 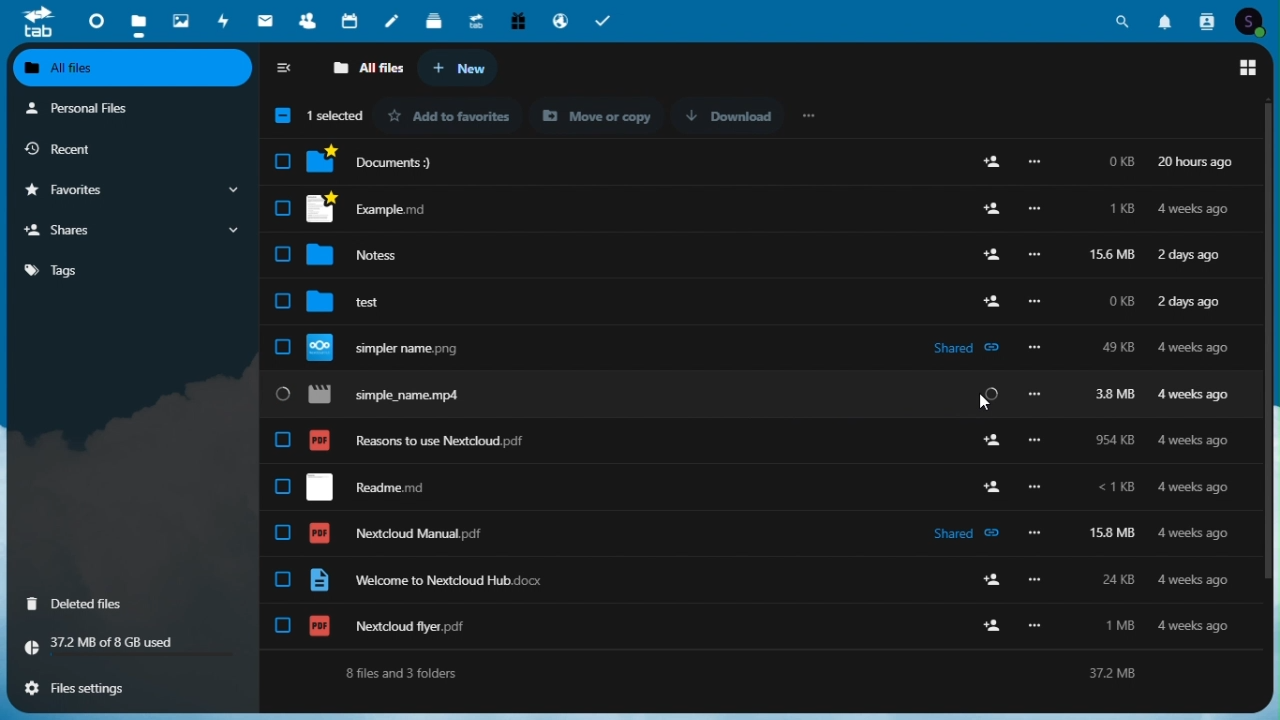 What do you see at coordinates (351, 21) in the screenshot?
I see `Calendar` at bounding box center [351, 21].